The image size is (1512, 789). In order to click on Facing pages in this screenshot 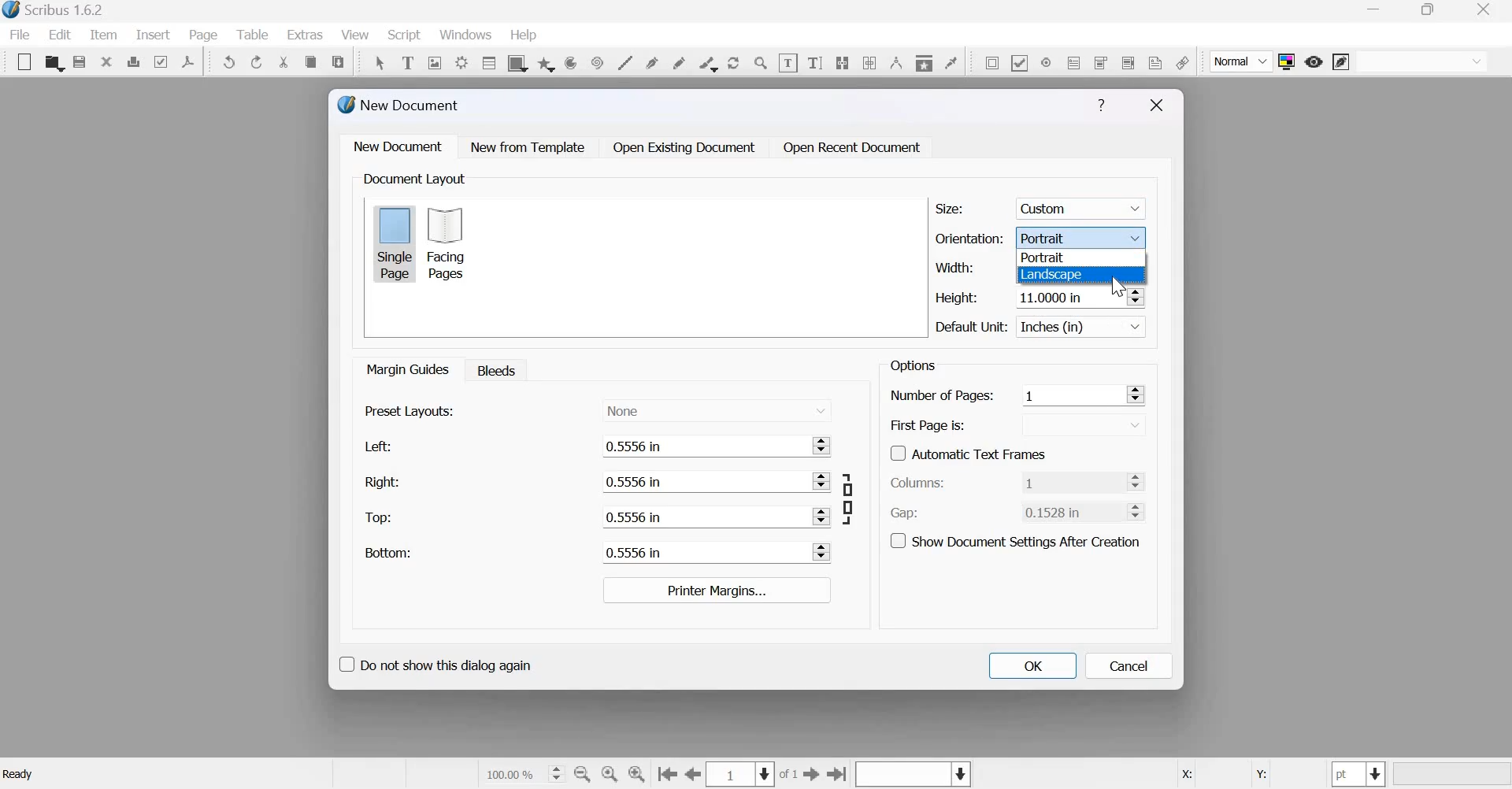, I will do `click(450, 243)`.